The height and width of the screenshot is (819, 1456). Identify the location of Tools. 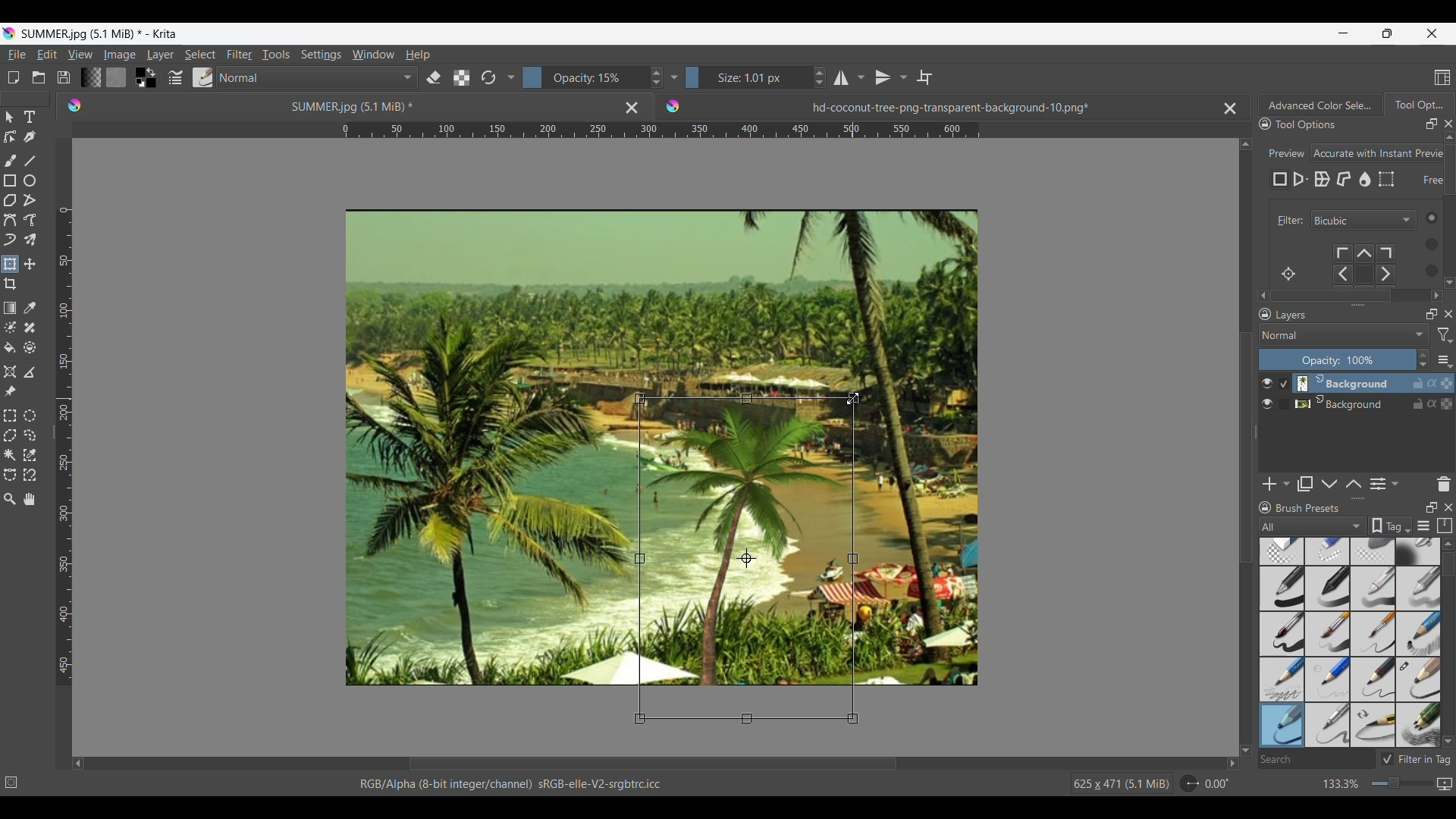
(275, 54).